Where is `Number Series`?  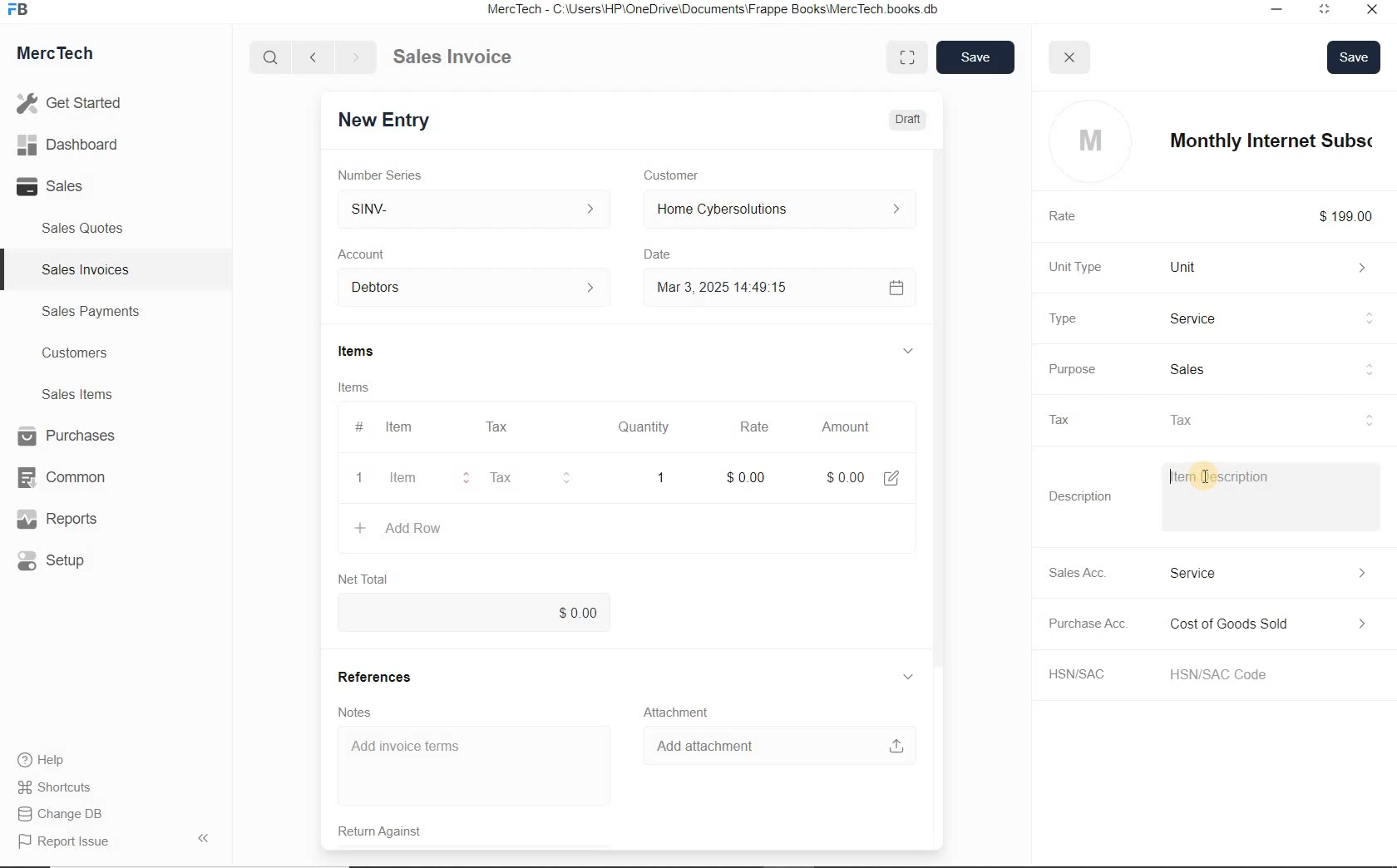
Number Series is located at coordinates (390, 173).